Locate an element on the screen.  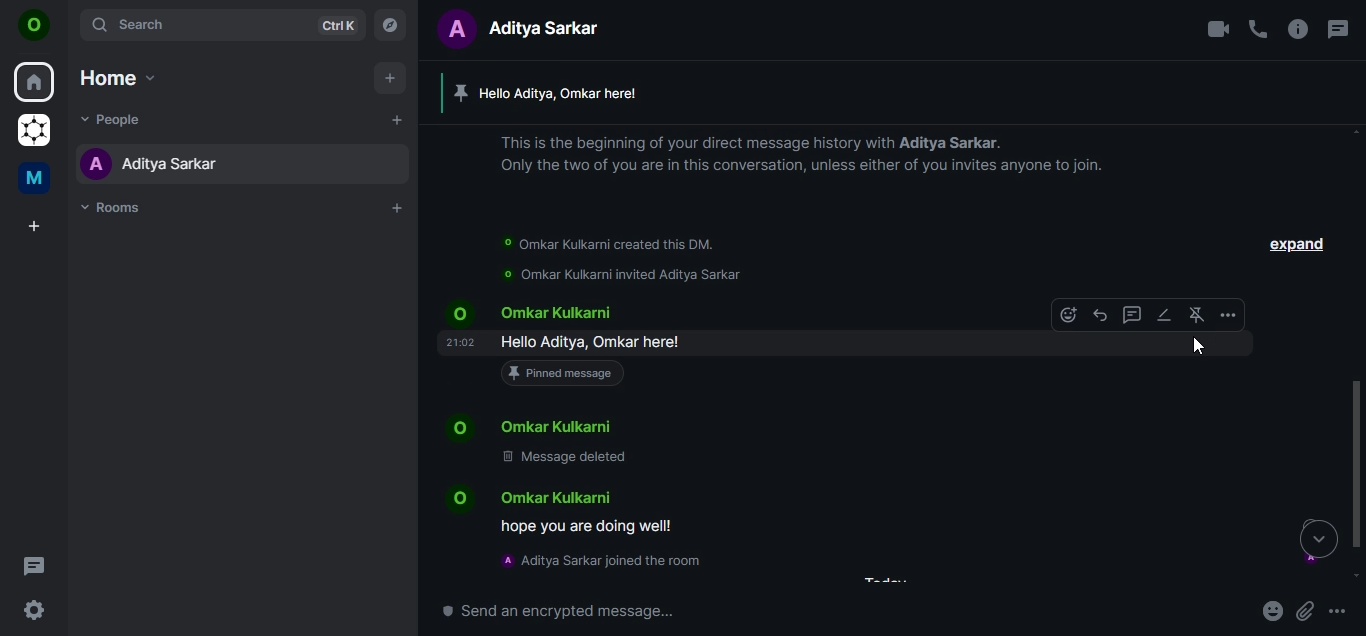
reply in thread is located at coordinates (1131, 317).